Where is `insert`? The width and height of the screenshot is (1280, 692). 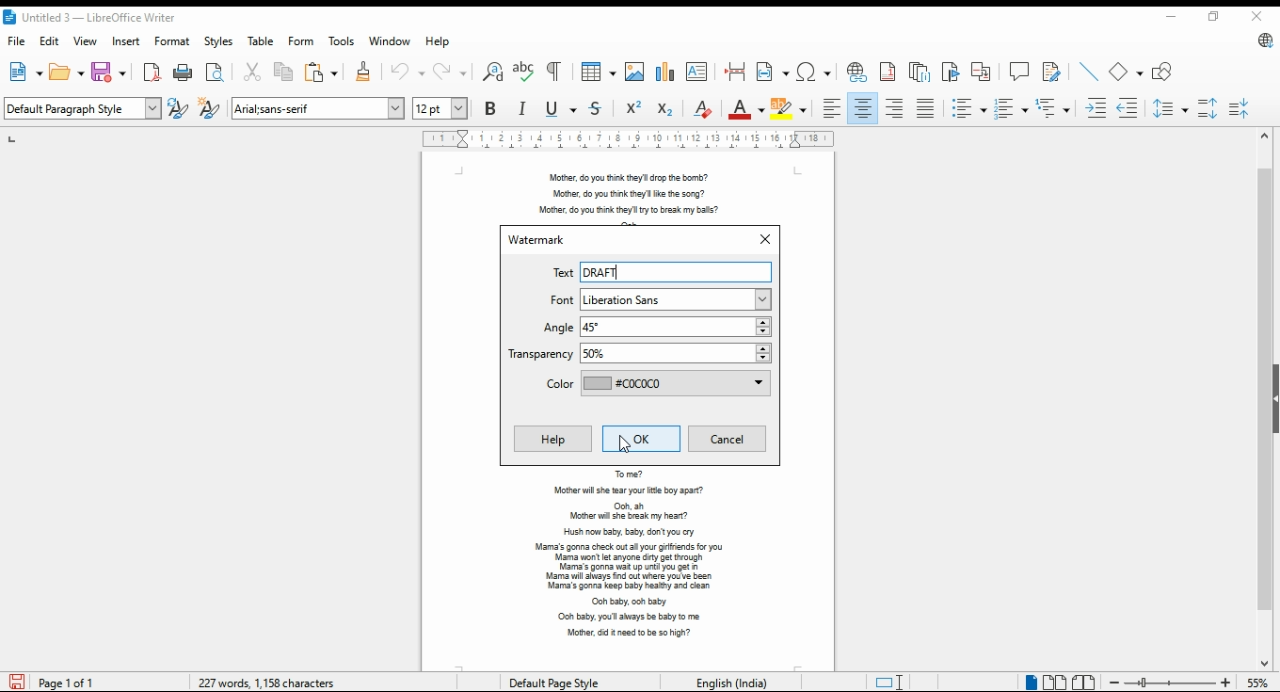
insert is located at coordinates (126, 41).